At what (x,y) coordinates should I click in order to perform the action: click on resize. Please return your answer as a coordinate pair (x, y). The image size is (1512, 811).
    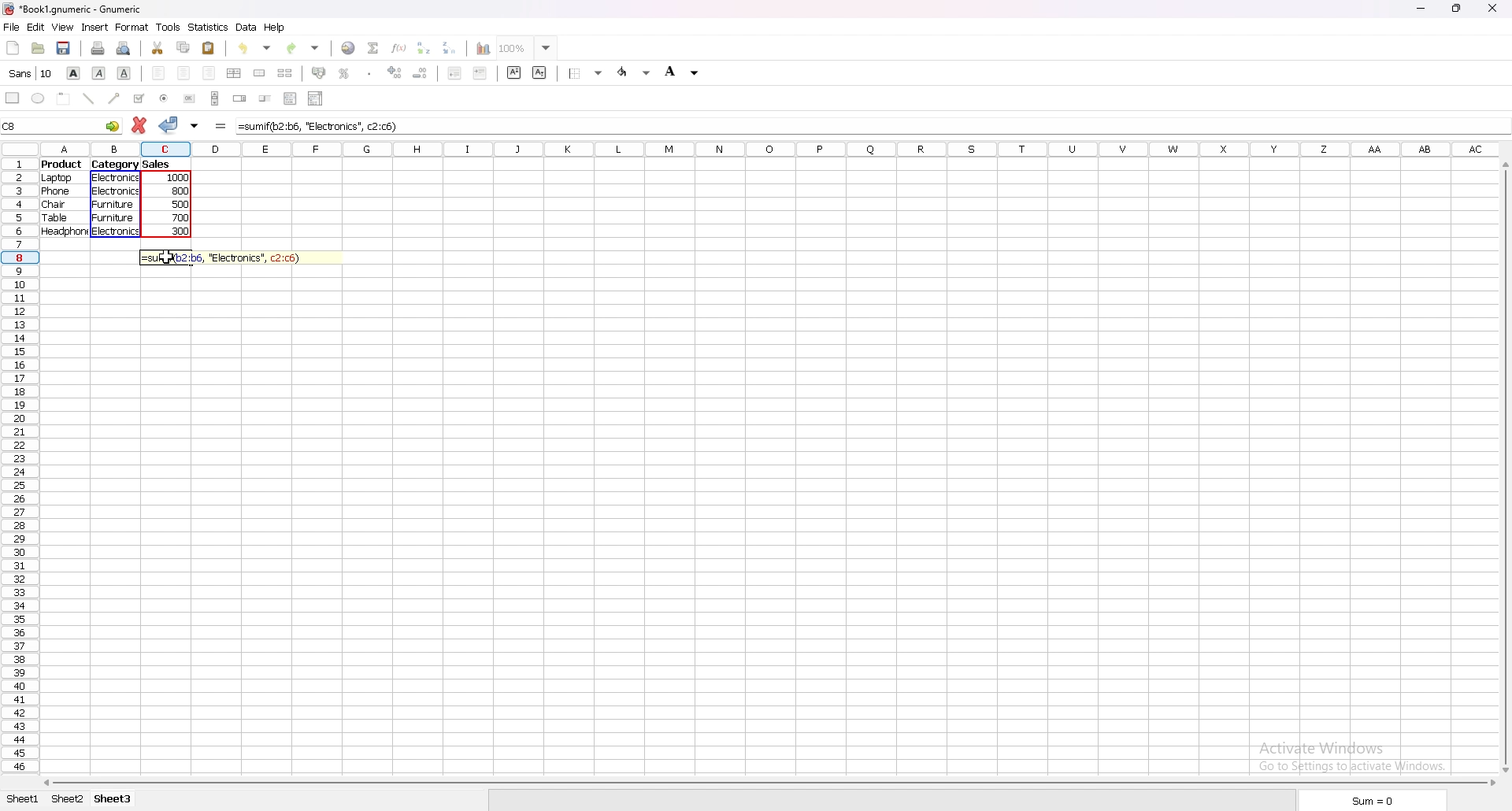
    Looking at the image, I should click on (1456, 9).